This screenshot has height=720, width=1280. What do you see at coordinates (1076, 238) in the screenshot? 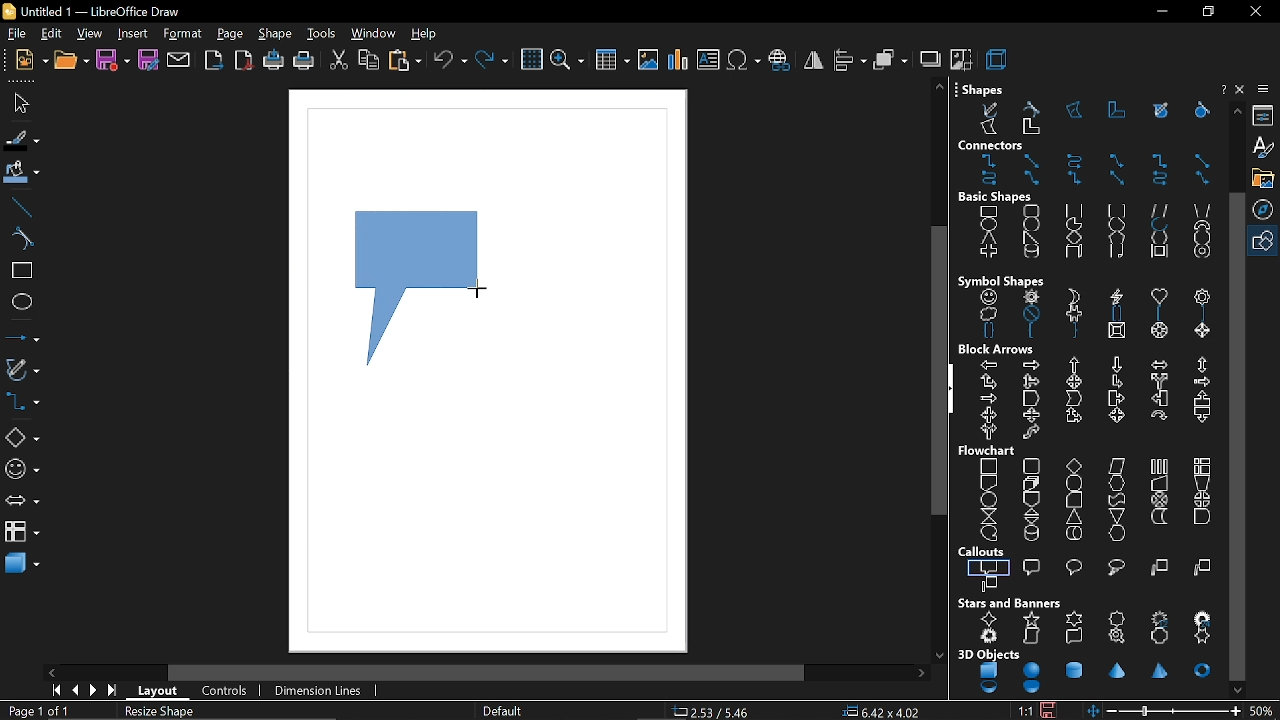
I see `diamond` at bounding box center [1076, 238].